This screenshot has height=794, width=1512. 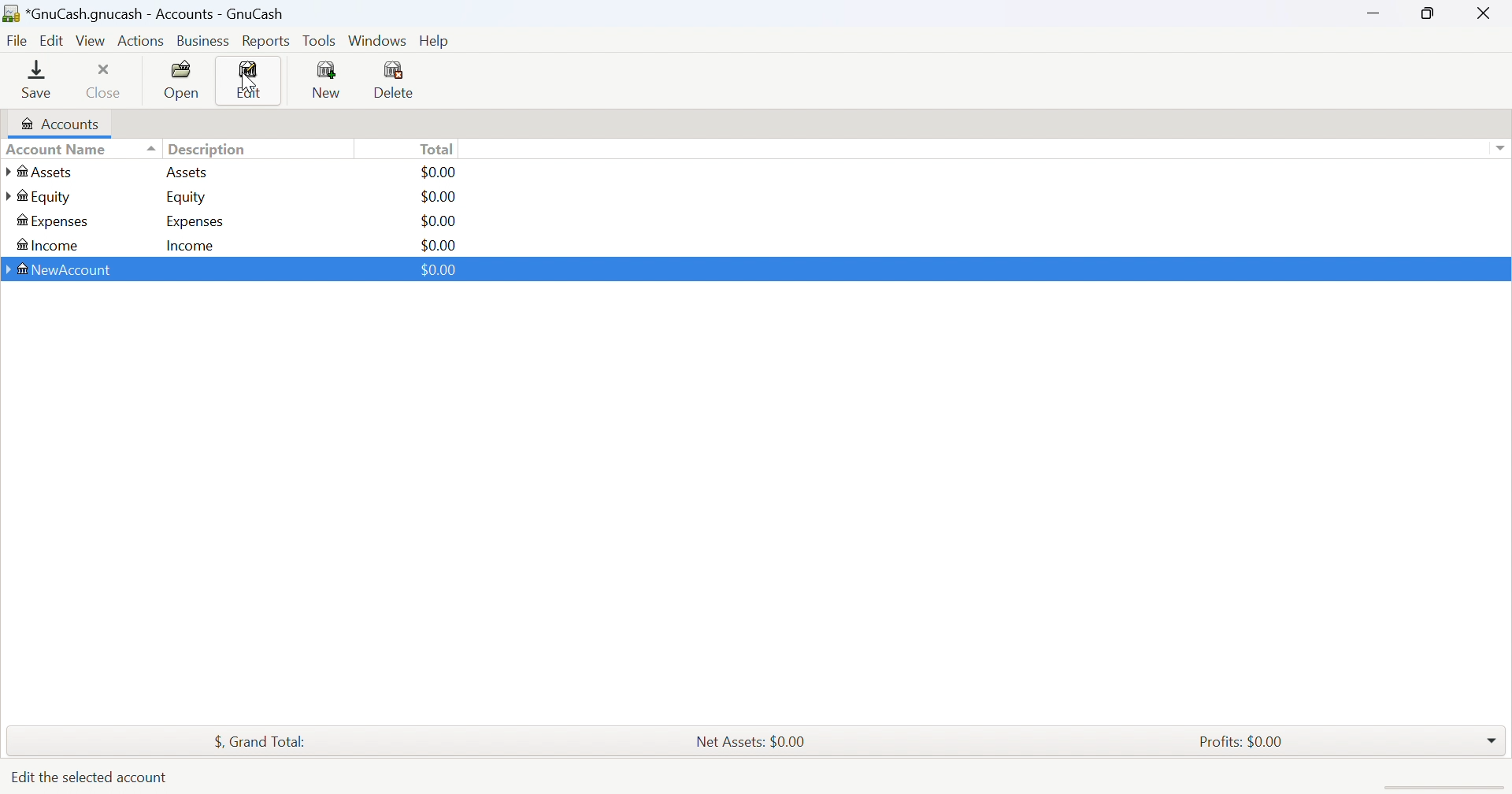 I want to click on File, so click(x=17, y=42).